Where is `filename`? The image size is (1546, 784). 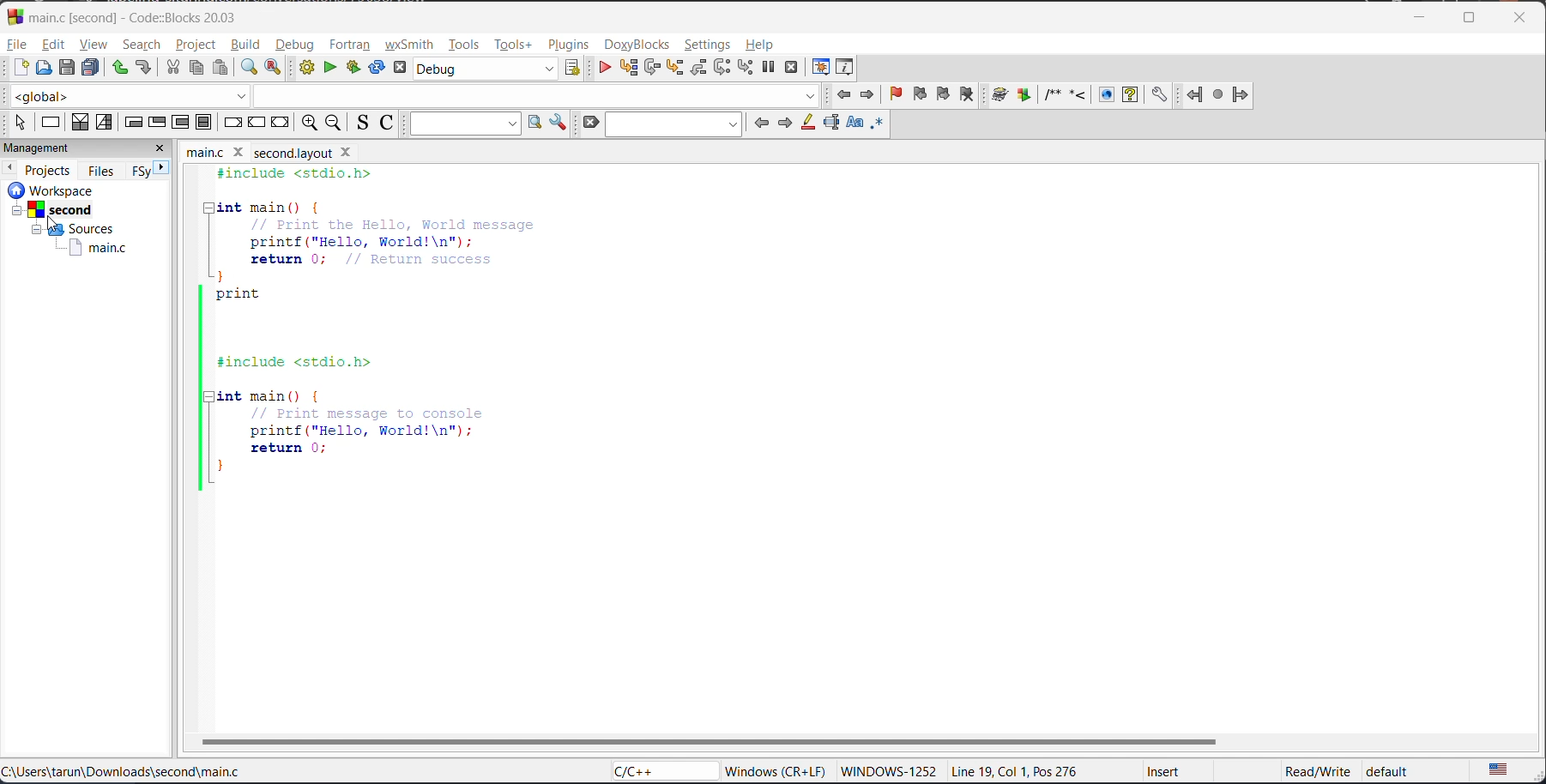
filename is located at coordinates (281, 154).